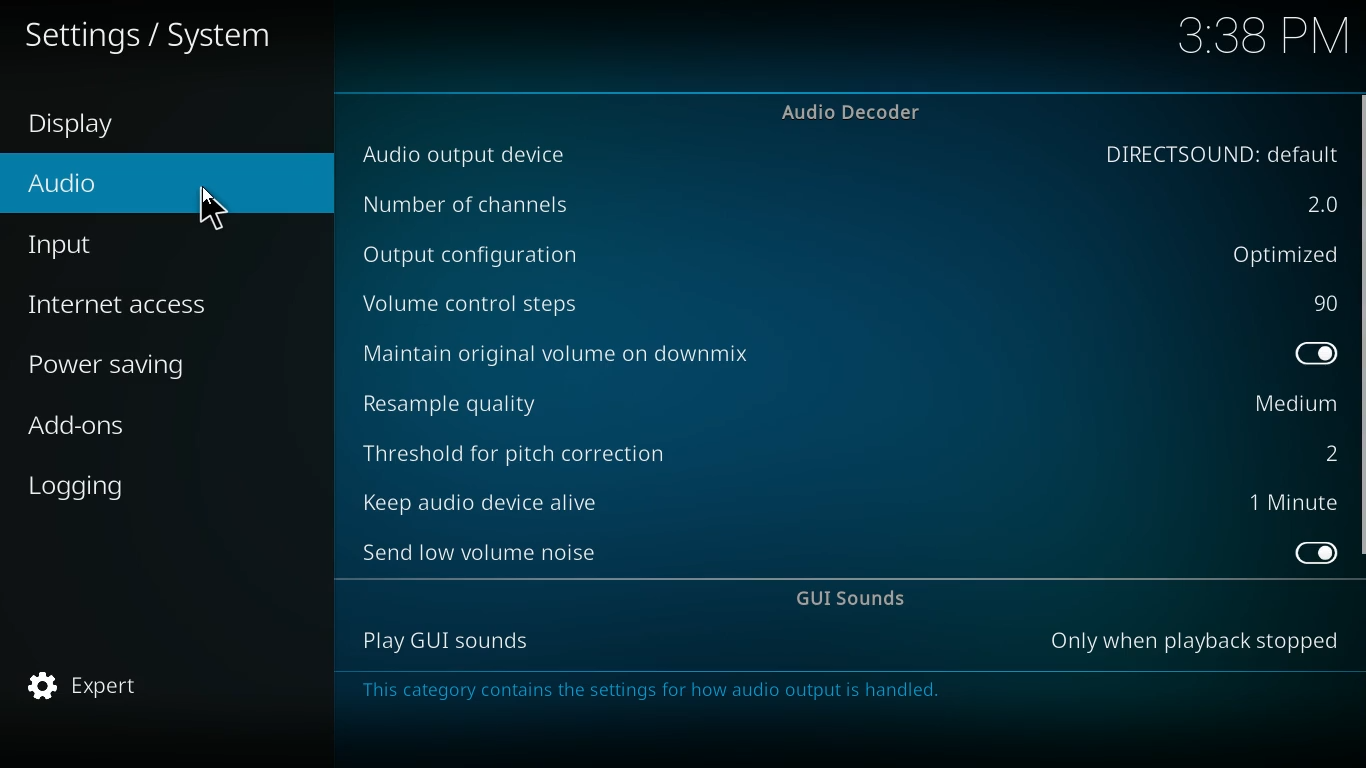 Image resolution: width=1366 pixels, height=768 pixels. Describe the element at coordinates (482, 258) in the screenshot. I see `output configuration` at that location.